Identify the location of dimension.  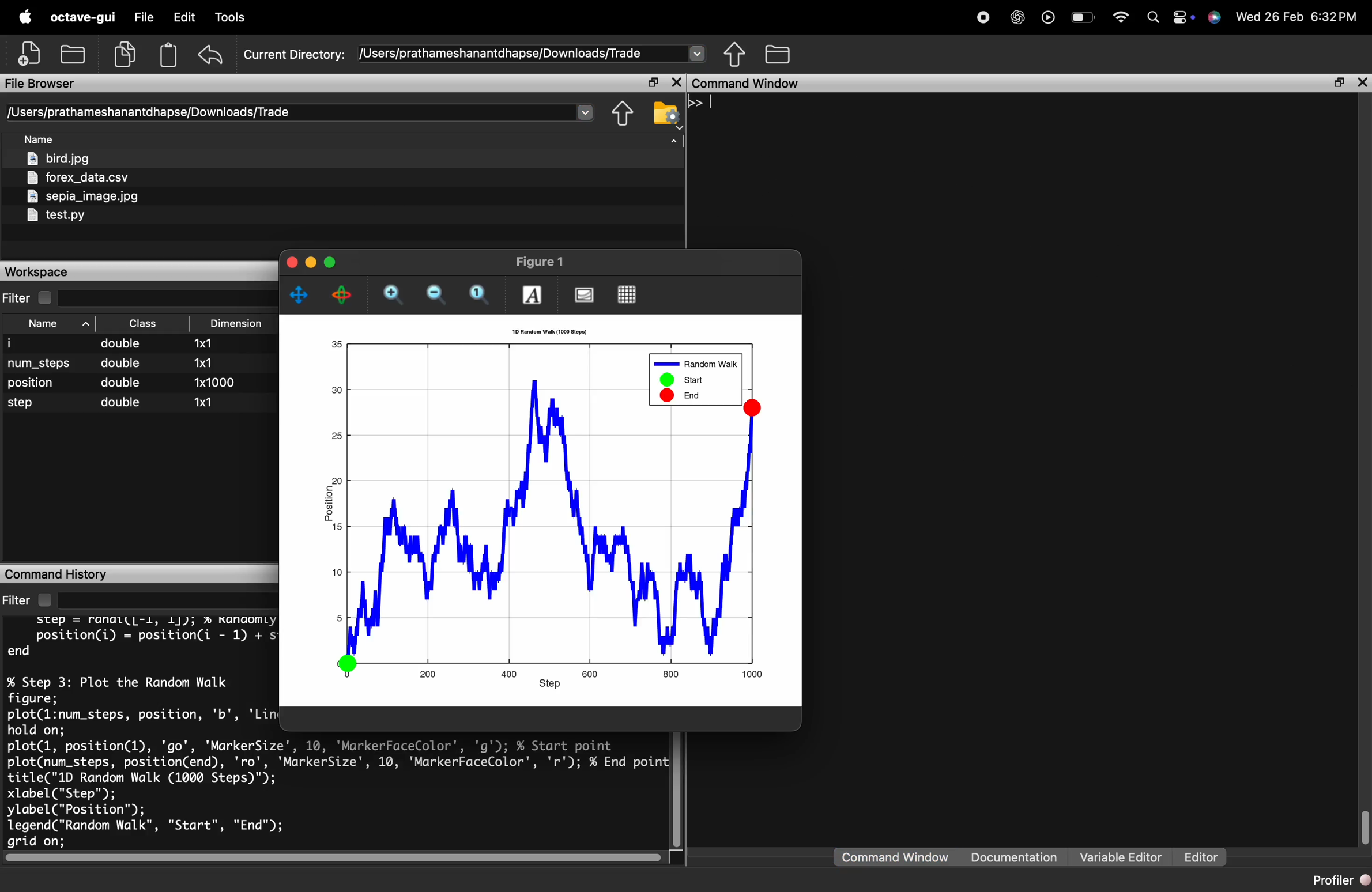
(216, 376).